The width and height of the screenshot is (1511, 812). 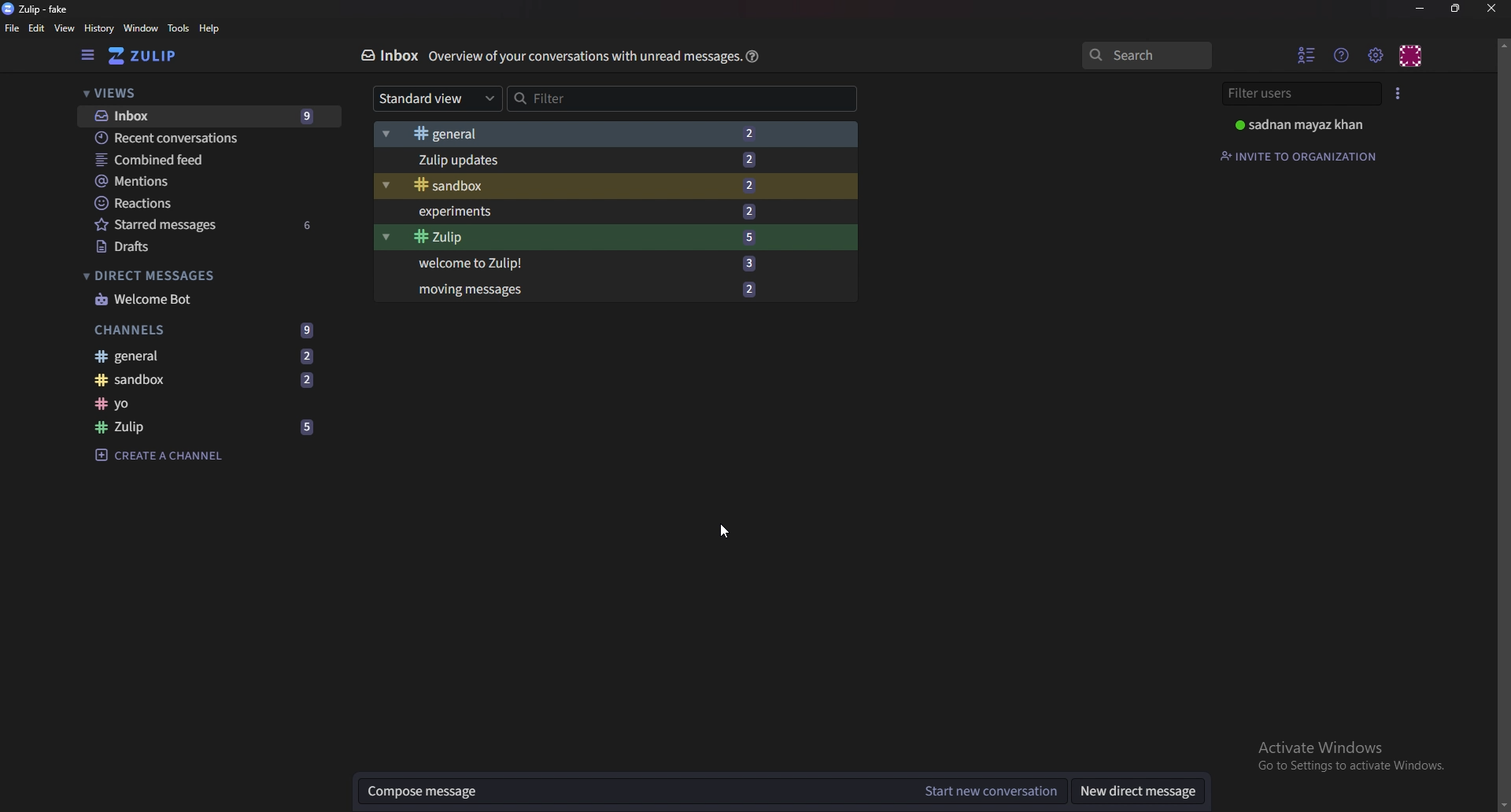 What do you see at coordinates (1409, 55) in the screenshot?
I see `Personal menu` at bounding box center [1409, 55].